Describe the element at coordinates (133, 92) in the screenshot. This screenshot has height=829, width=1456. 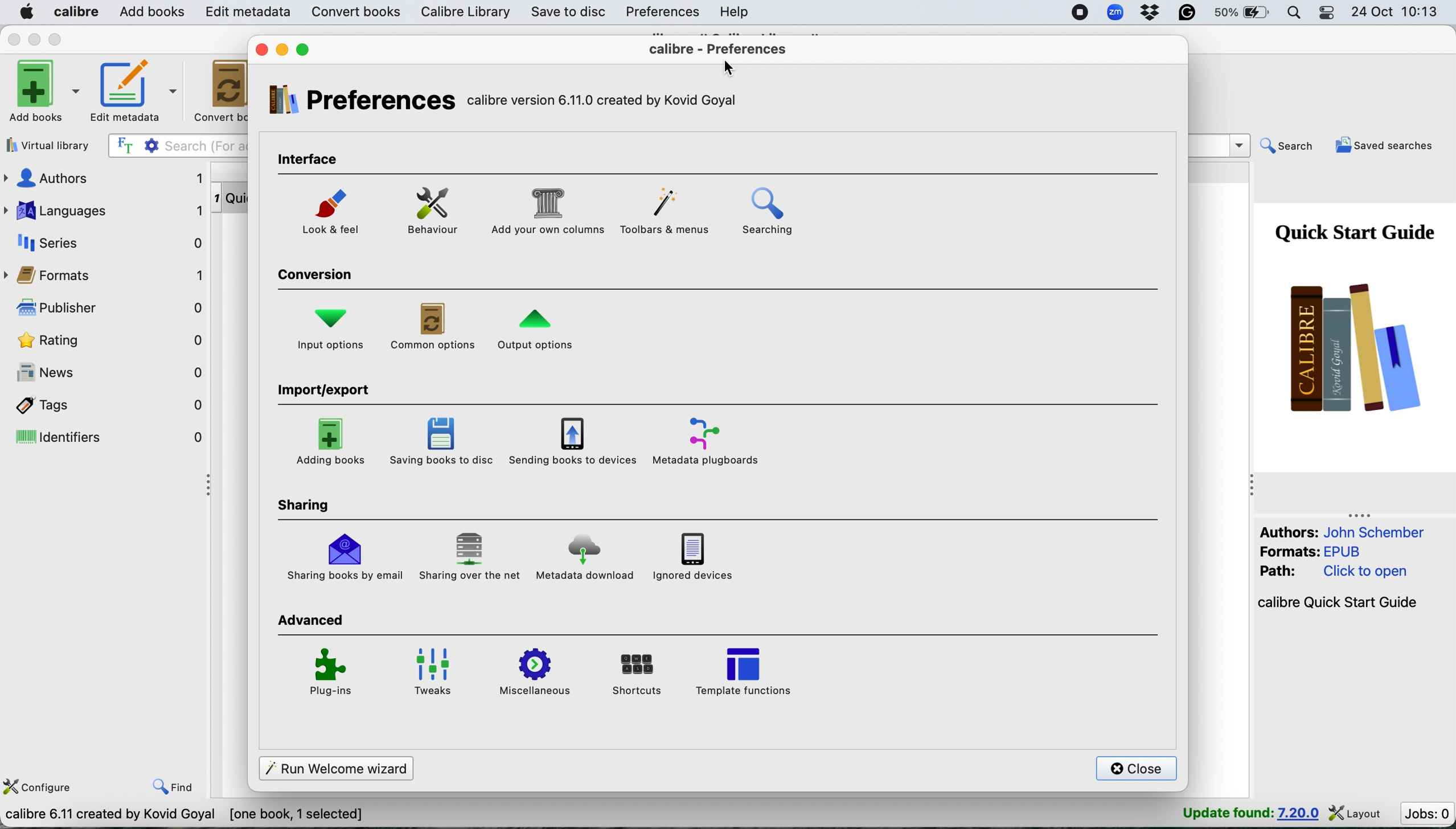
I see `edit metadata` at that location.